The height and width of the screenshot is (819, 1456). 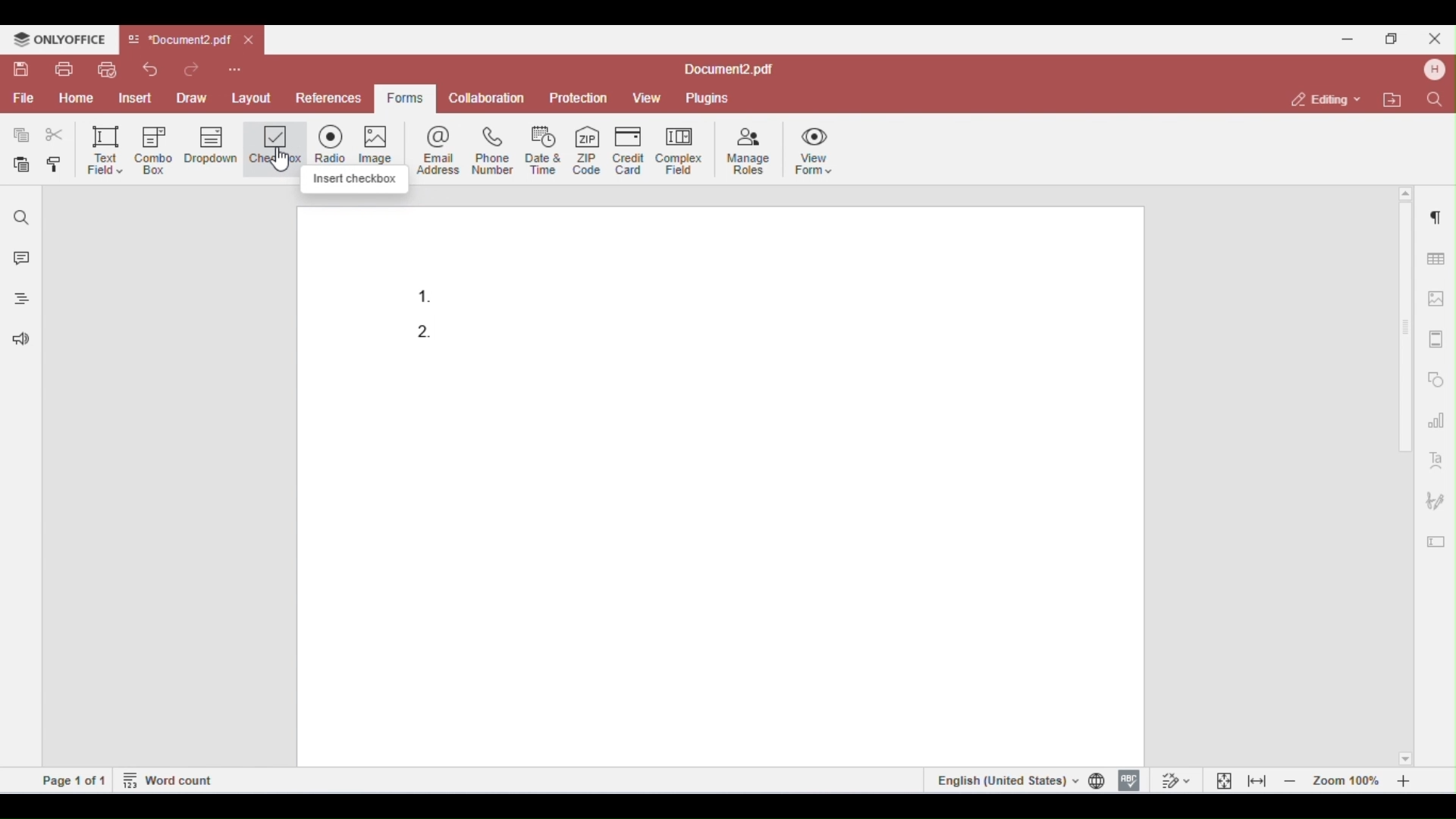 I want to click on drop down, so click(x=211, y=147).